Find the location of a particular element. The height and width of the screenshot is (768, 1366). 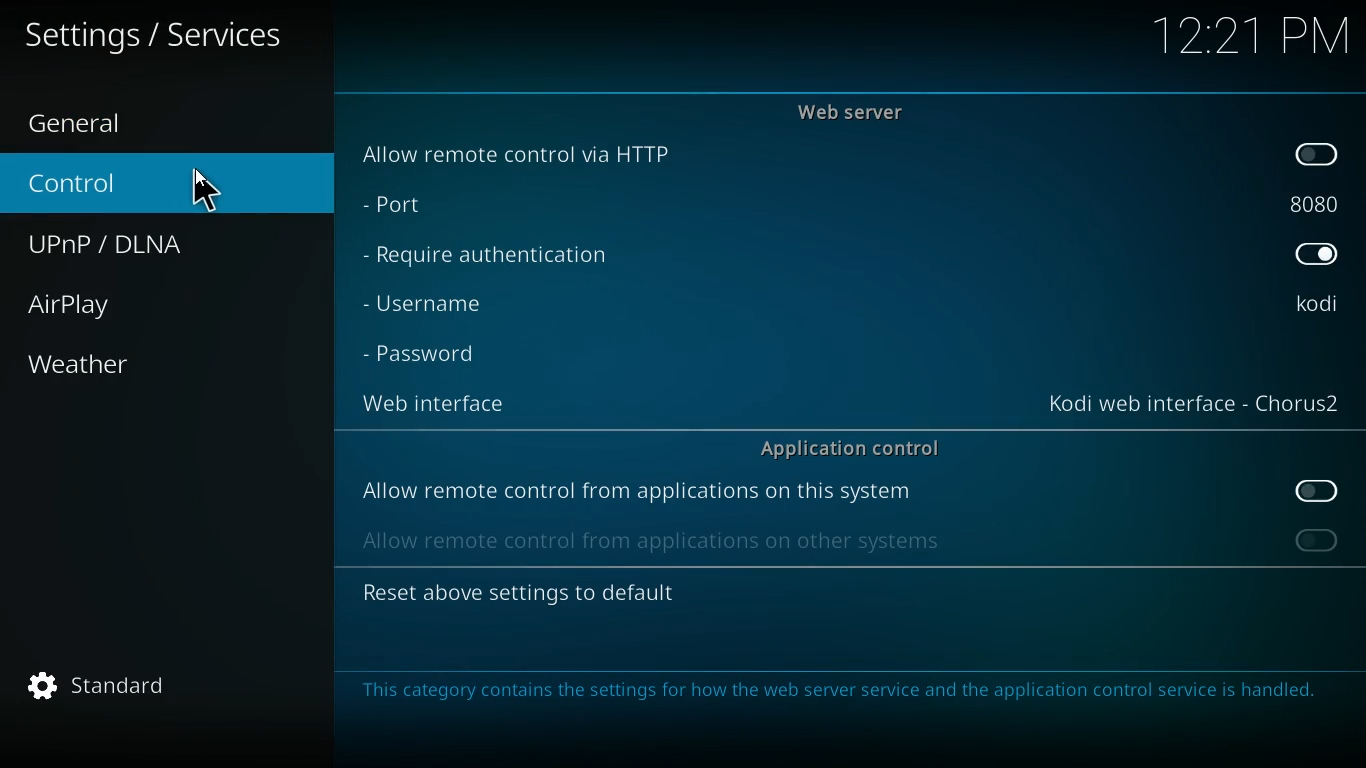

text is located at coordinates (159, 36).